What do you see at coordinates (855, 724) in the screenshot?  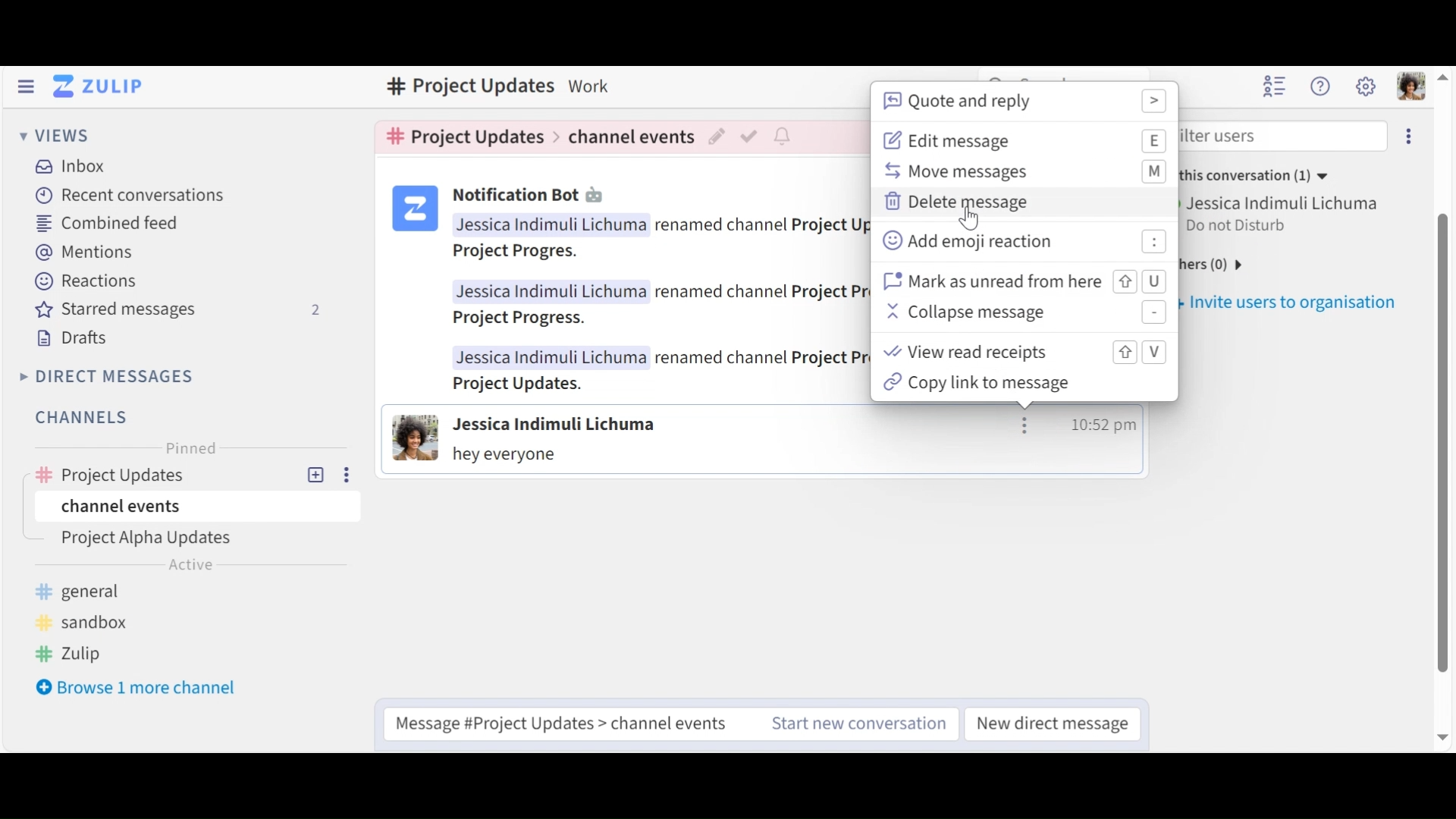 I see `Start ne conversations` at bounding box center [855, 724].